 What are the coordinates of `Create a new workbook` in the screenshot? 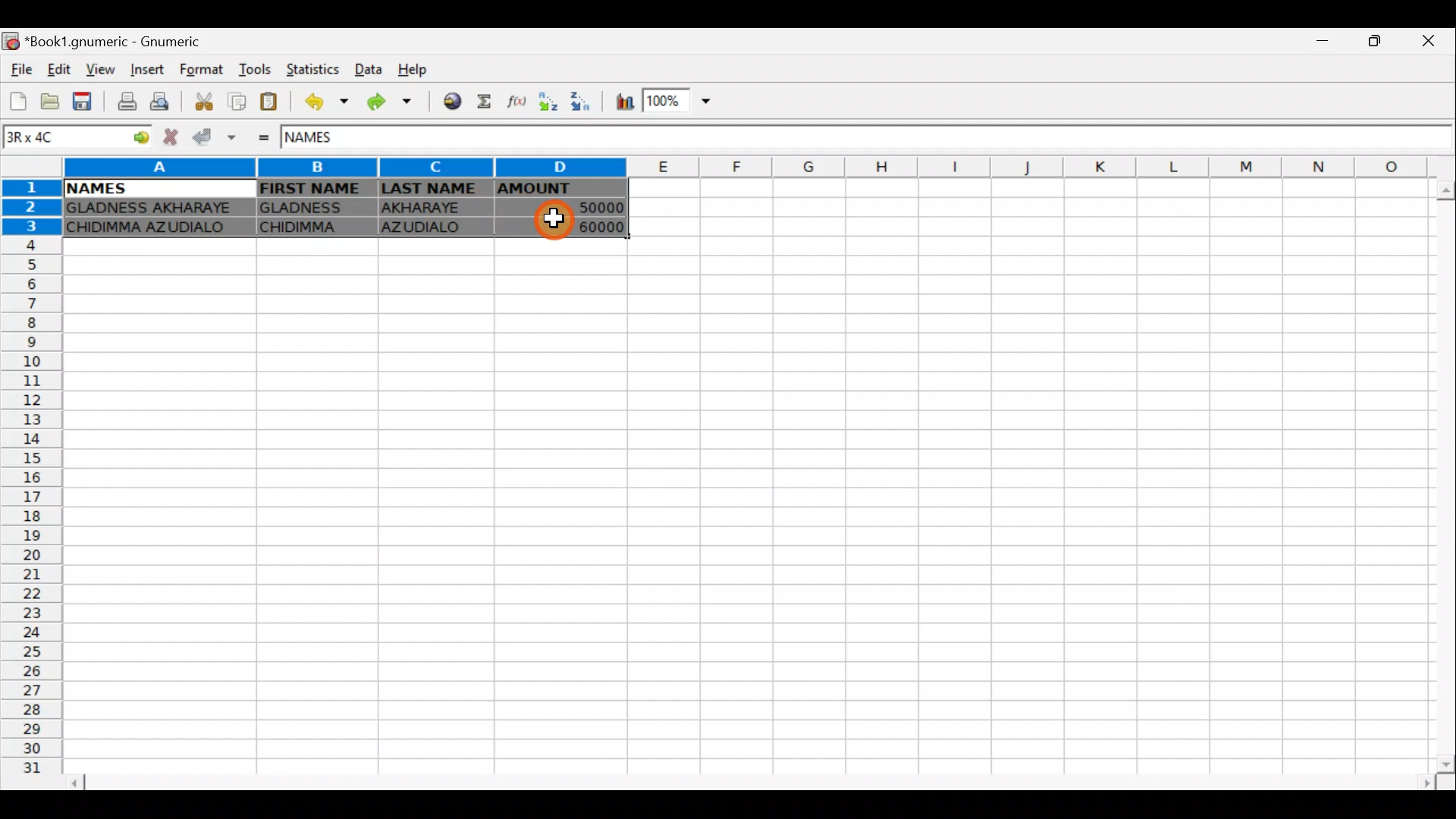 It's located at (19, 101).